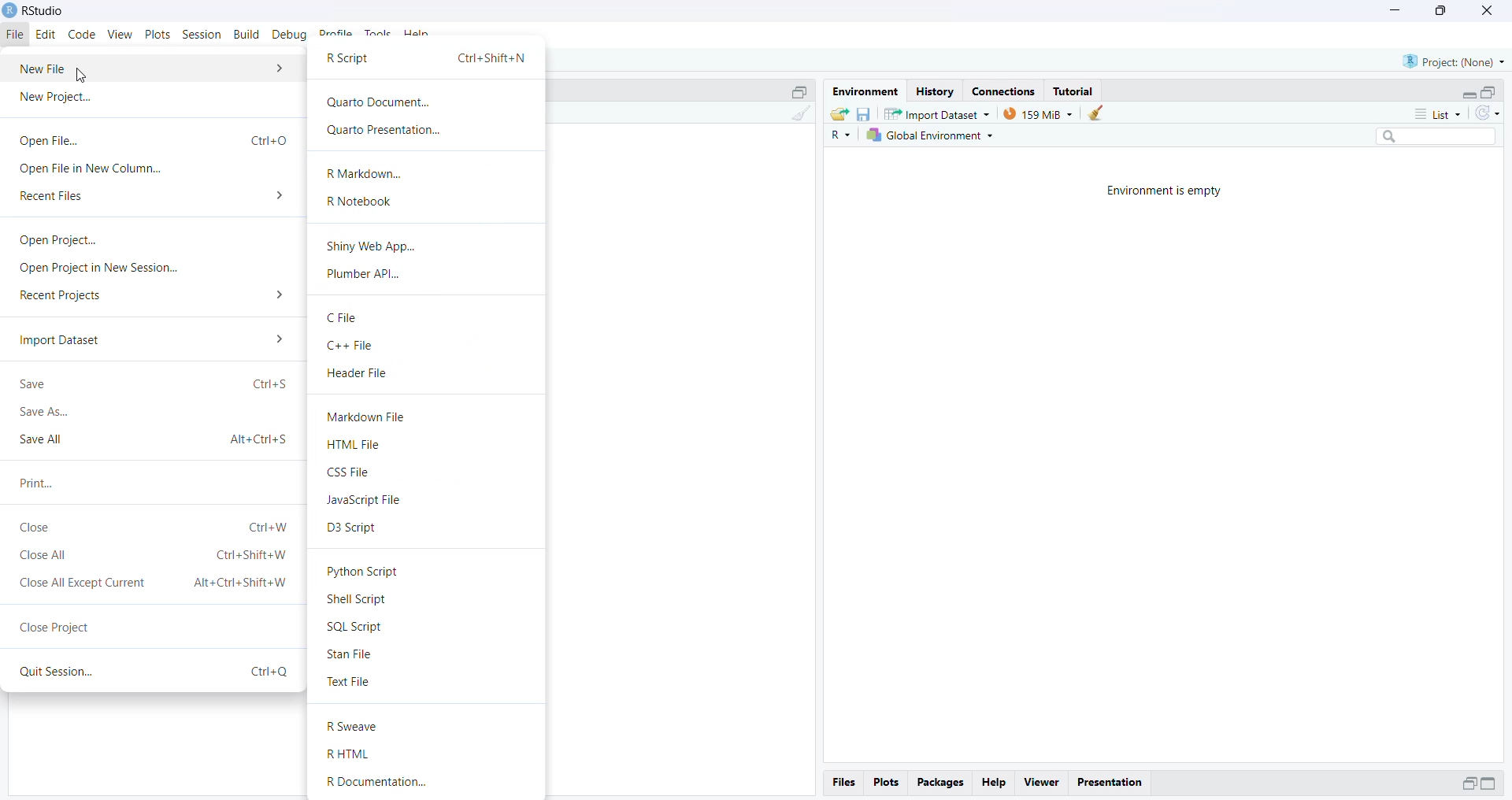 The image size is (1512, 800). I want to click on clear object from the workspace, so click(1099, 113).